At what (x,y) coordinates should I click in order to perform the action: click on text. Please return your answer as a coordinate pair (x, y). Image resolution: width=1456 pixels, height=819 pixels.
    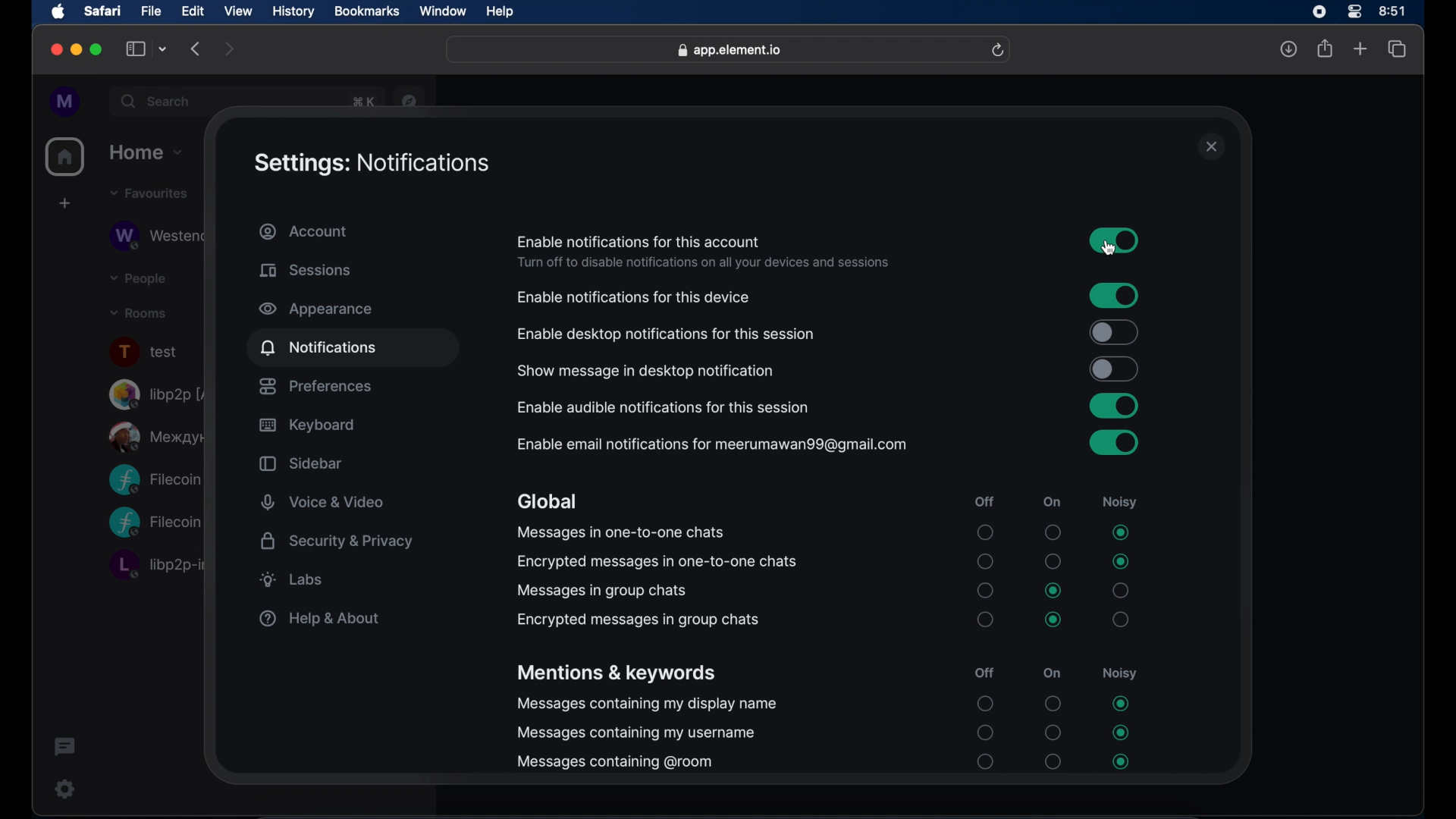
    Looking at the image, I should click on (141, 353).